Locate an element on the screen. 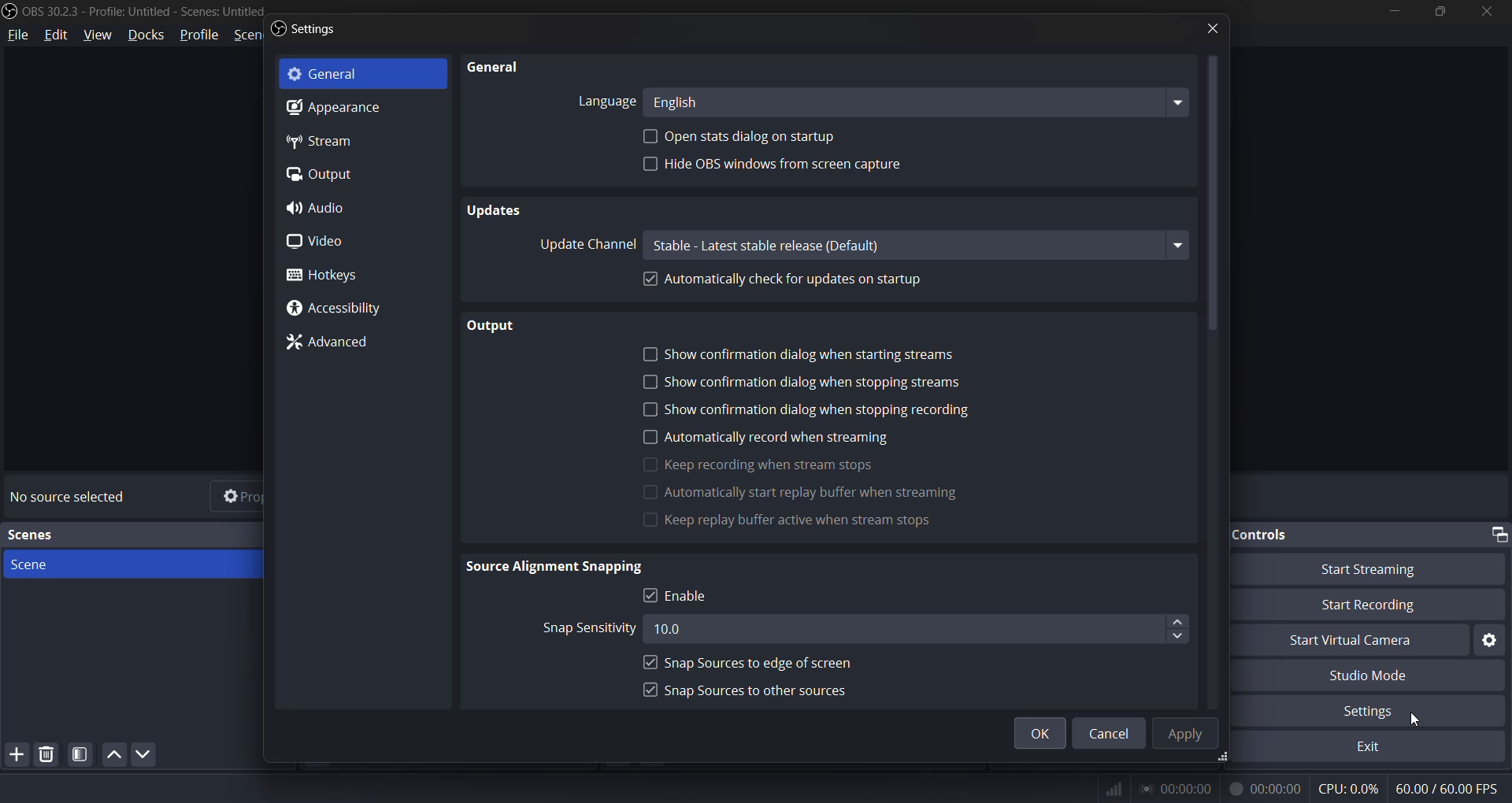 This screenshot has width=1512, height=803. open scene filters is located at coordinates (83, 756).